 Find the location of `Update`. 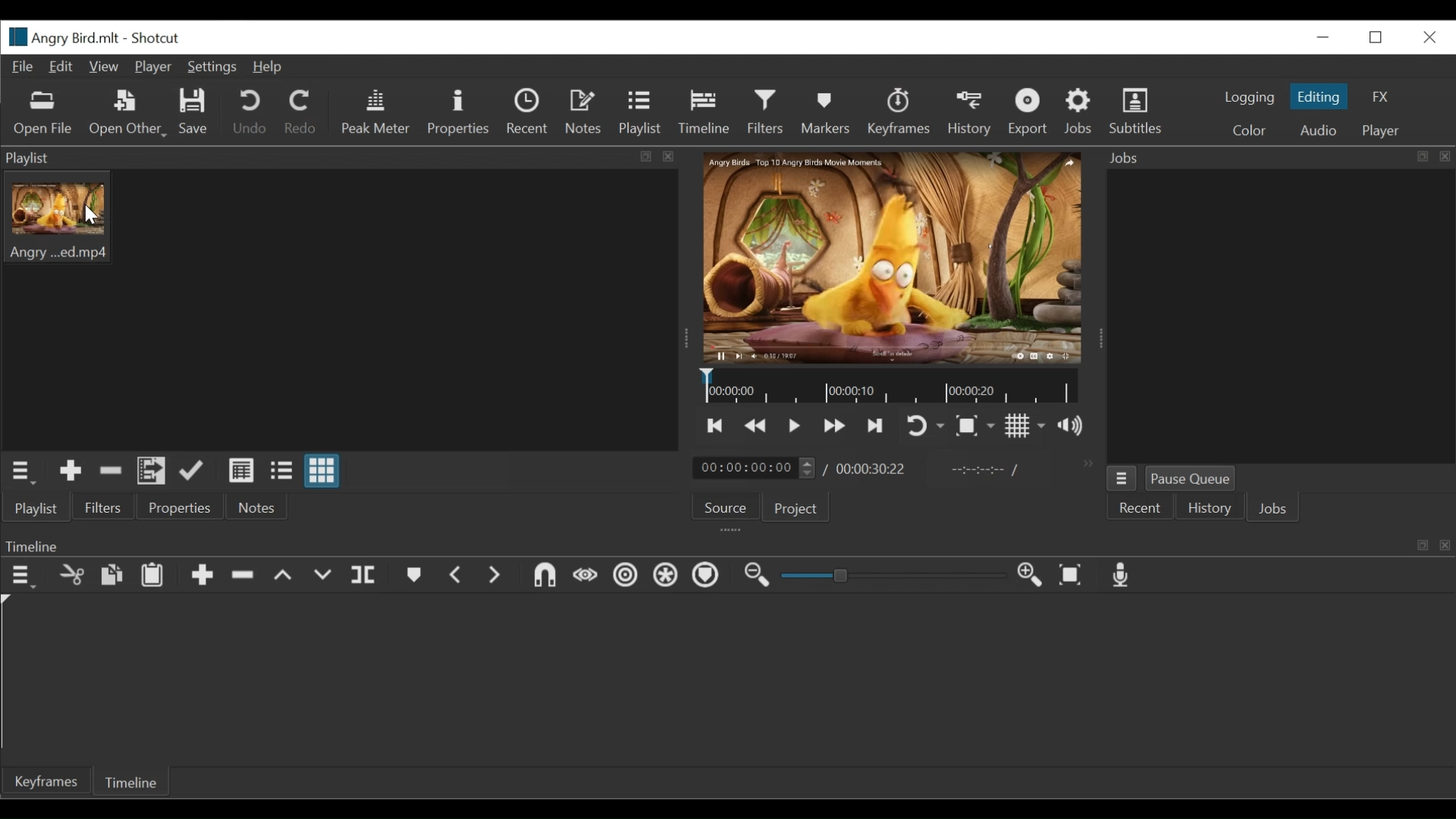

Update is located at coordinates (192, 470).